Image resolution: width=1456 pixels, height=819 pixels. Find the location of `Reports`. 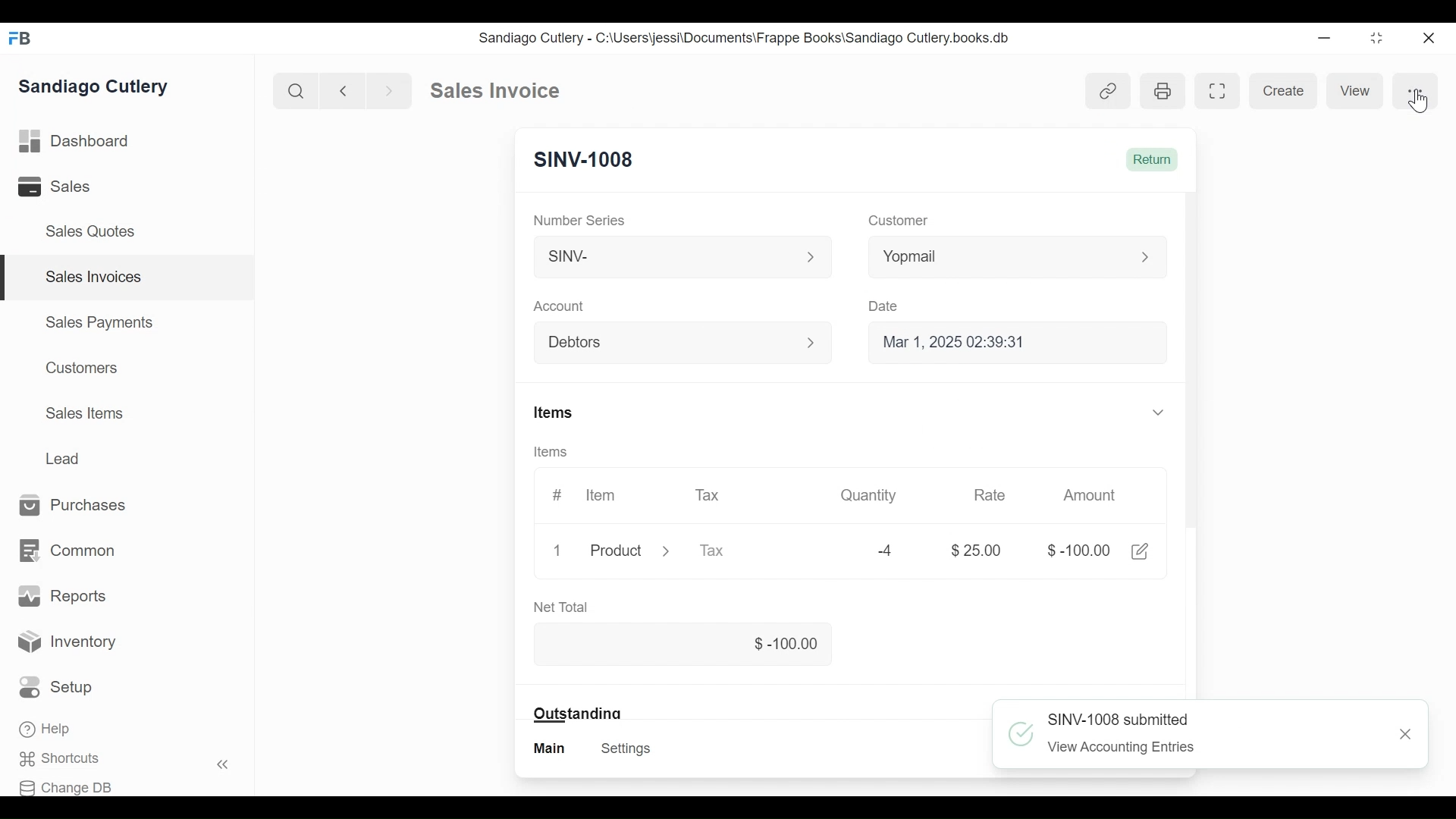

Reports is located at coordinates (60, 595).